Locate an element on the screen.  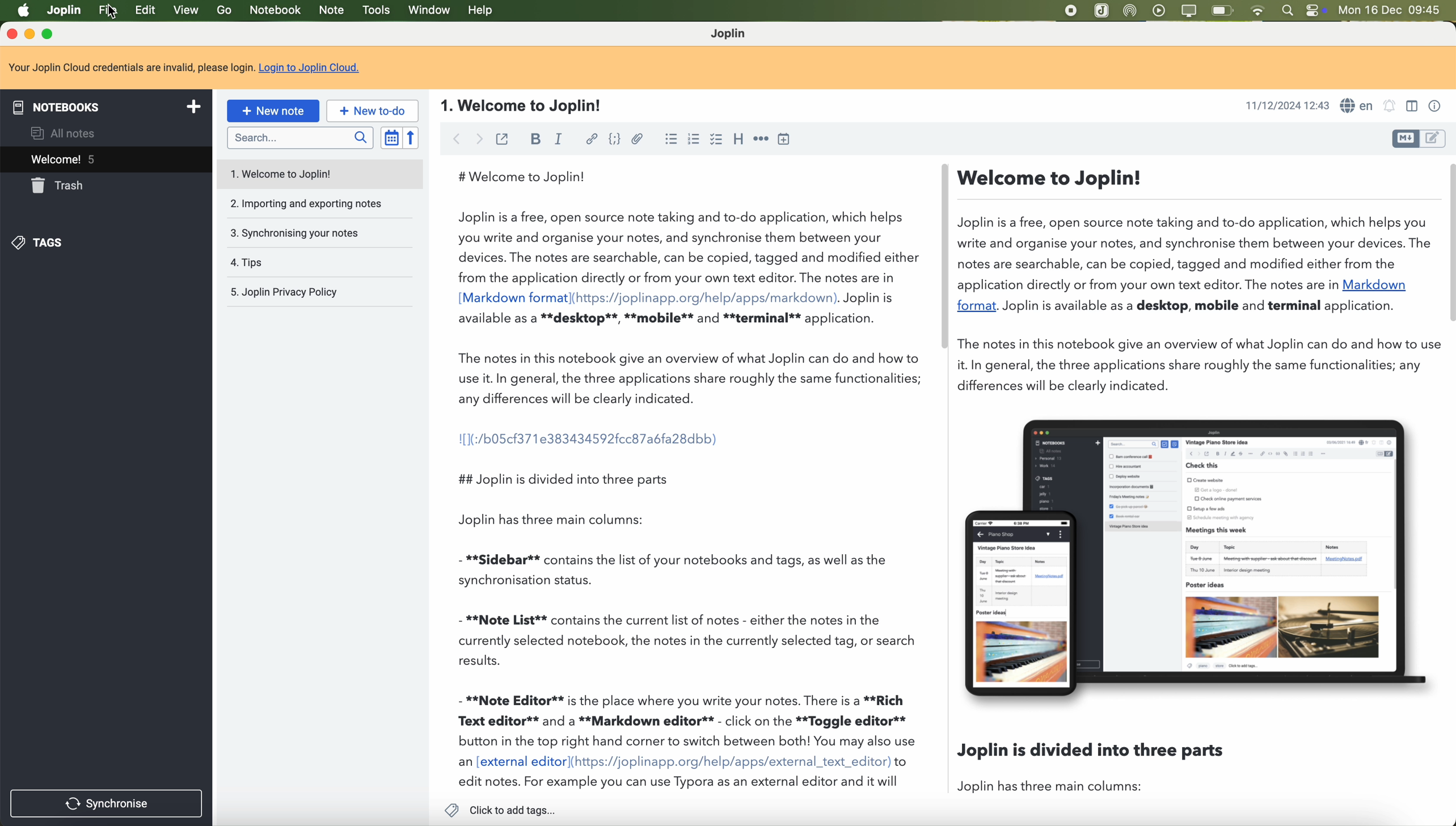
welcome is located at coordinates (104, 159).